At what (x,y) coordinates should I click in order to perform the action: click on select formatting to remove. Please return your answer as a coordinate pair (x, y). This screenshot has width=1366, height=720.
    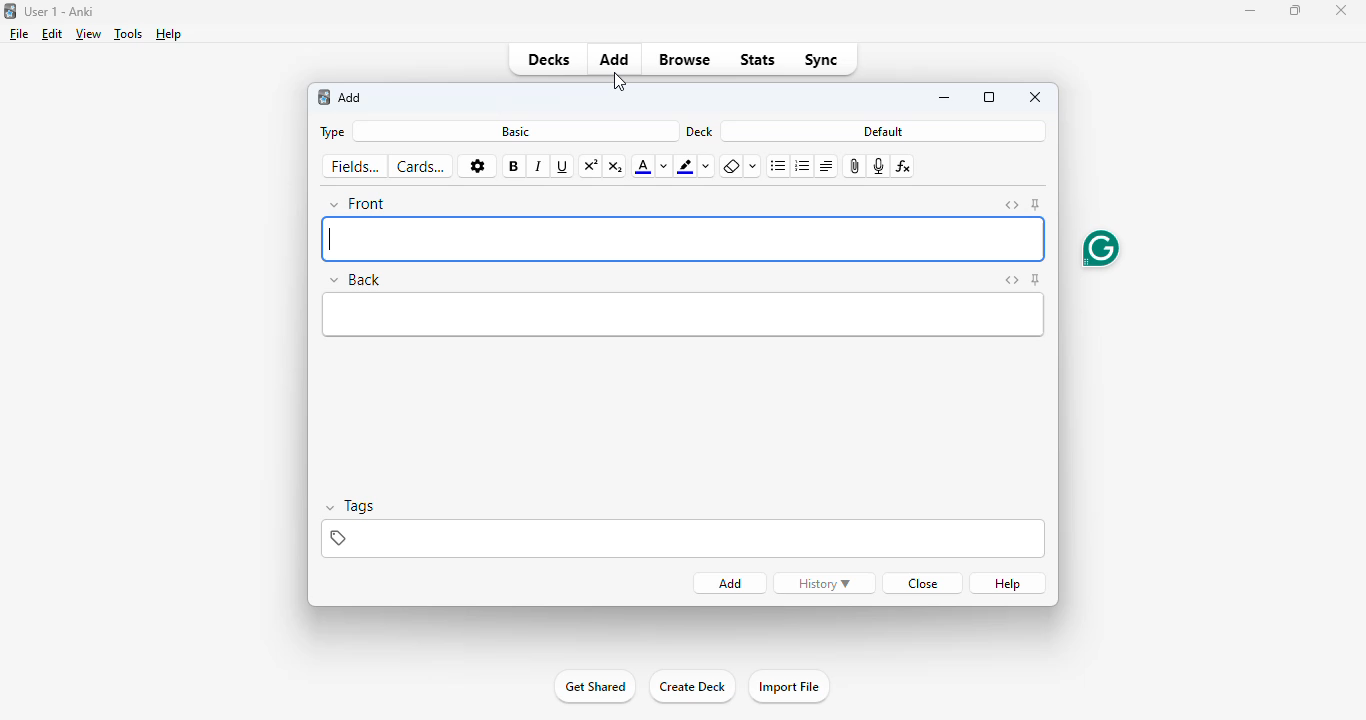
    Looking at the image, I should click on (753, 167).